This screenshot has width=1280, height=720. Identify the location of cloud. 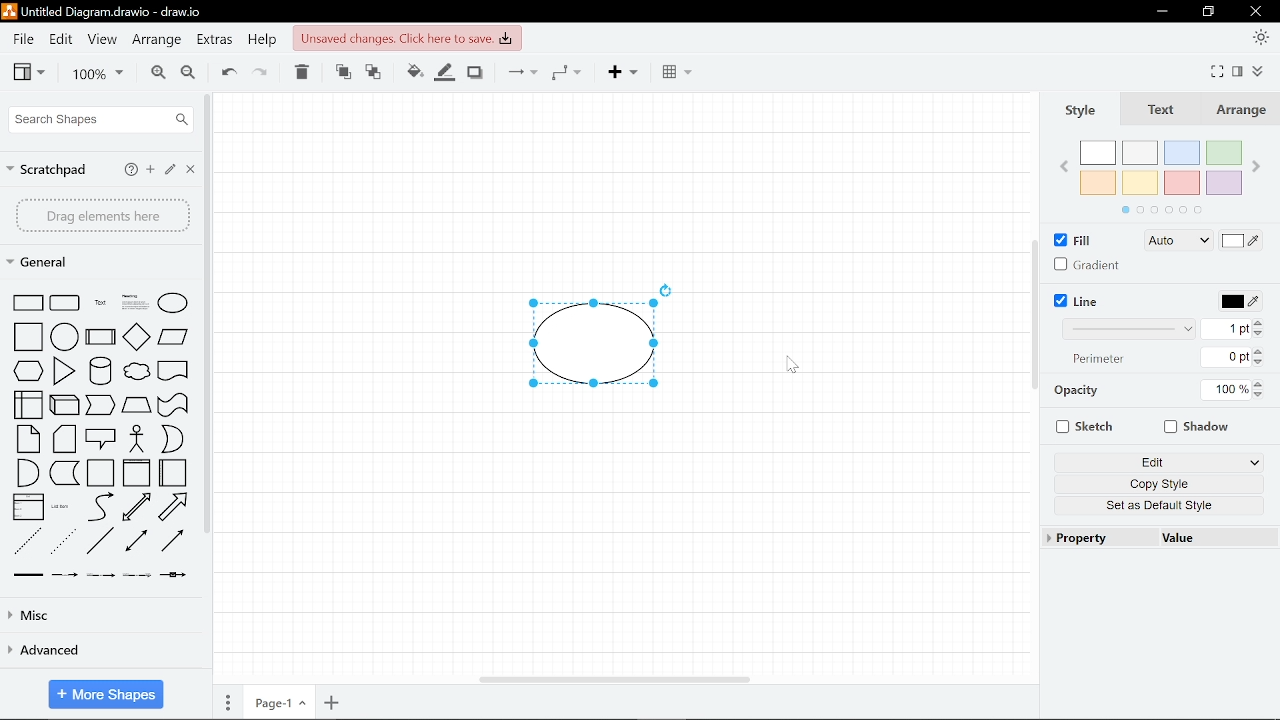
(136, 370).